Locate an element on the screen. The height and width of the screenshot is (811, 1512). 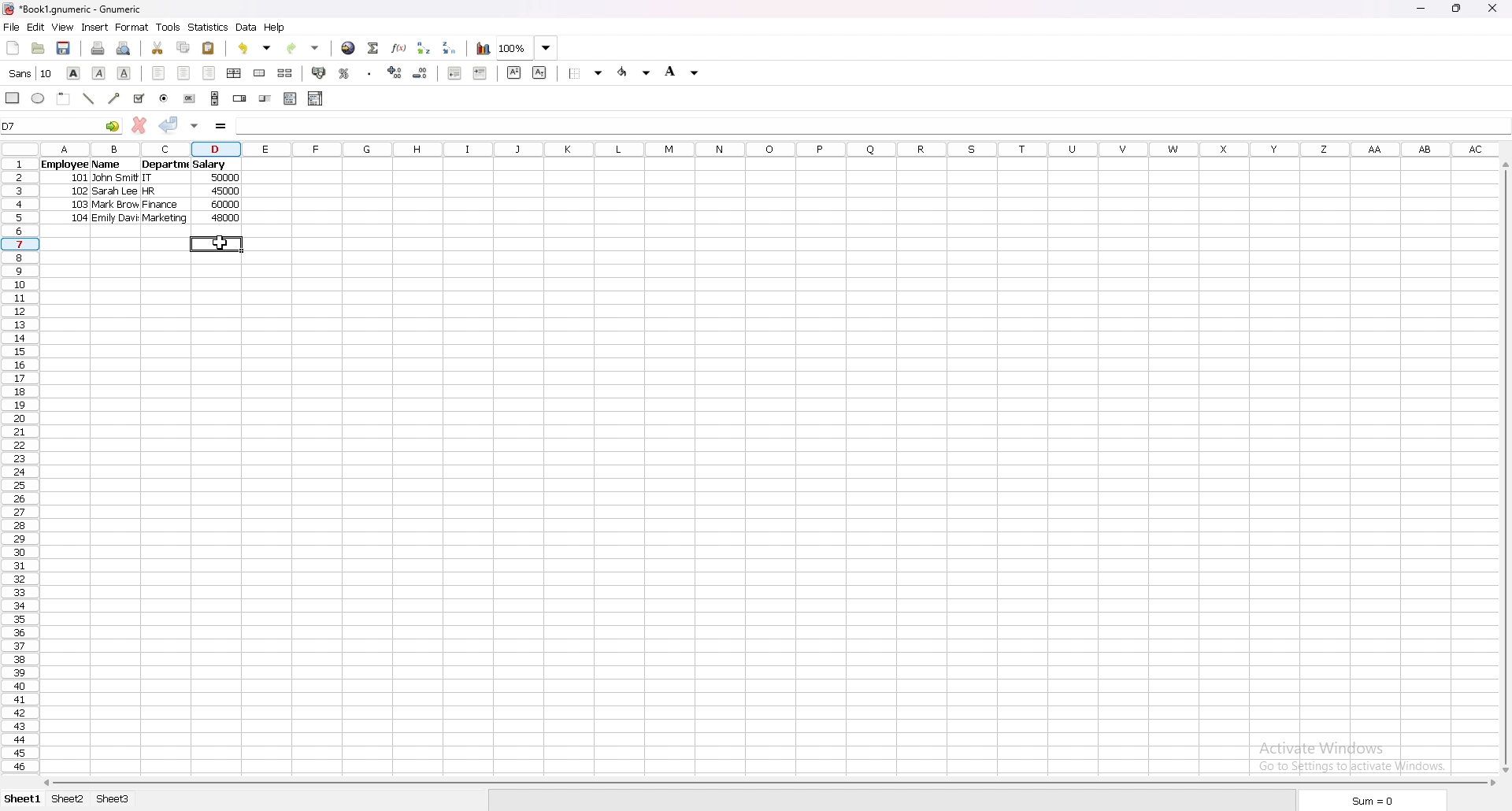
cell input is located at coordinates (871, 126).